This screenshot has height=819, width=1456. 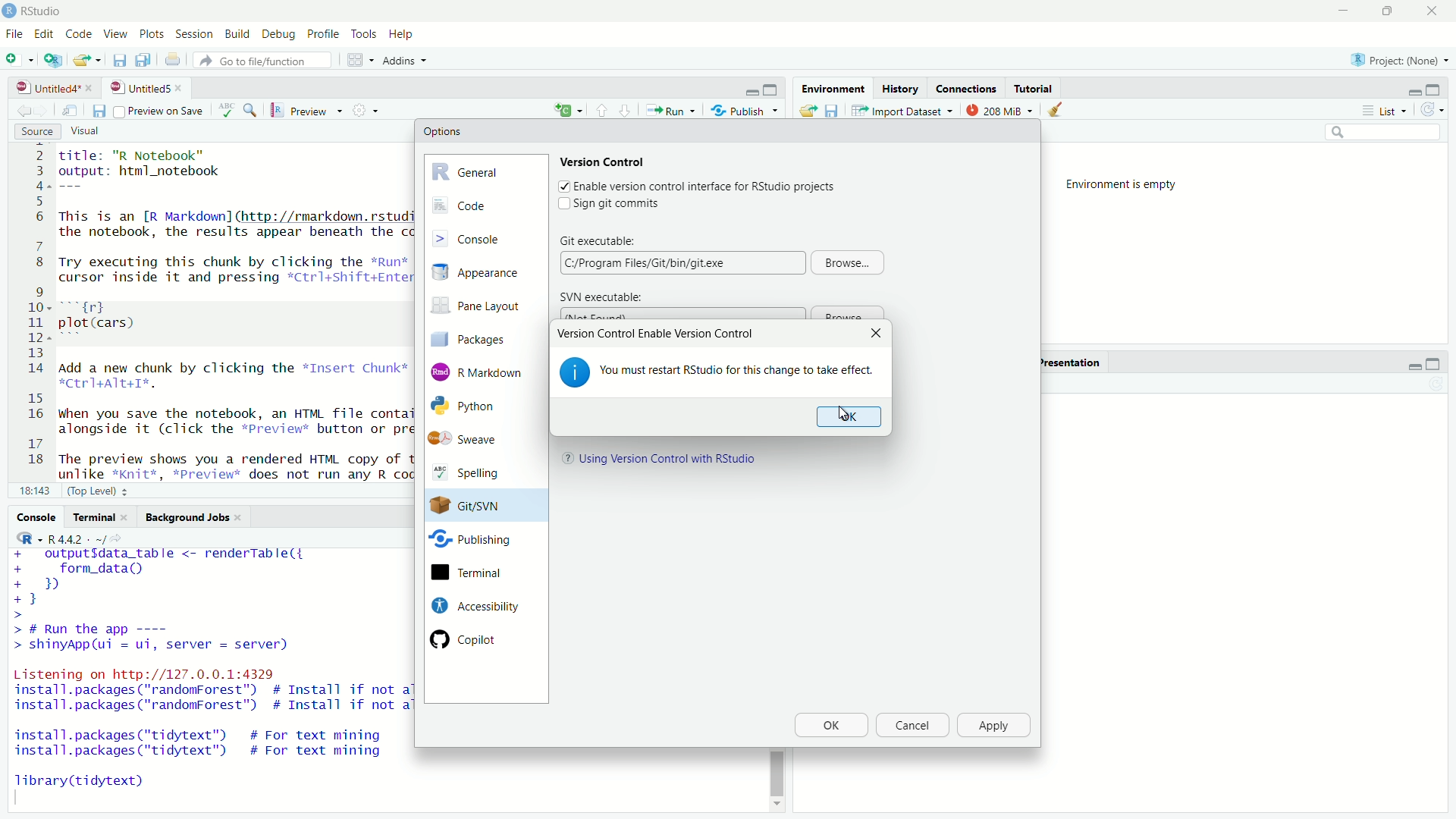 I want to click on General, so click(x=485, y=170).